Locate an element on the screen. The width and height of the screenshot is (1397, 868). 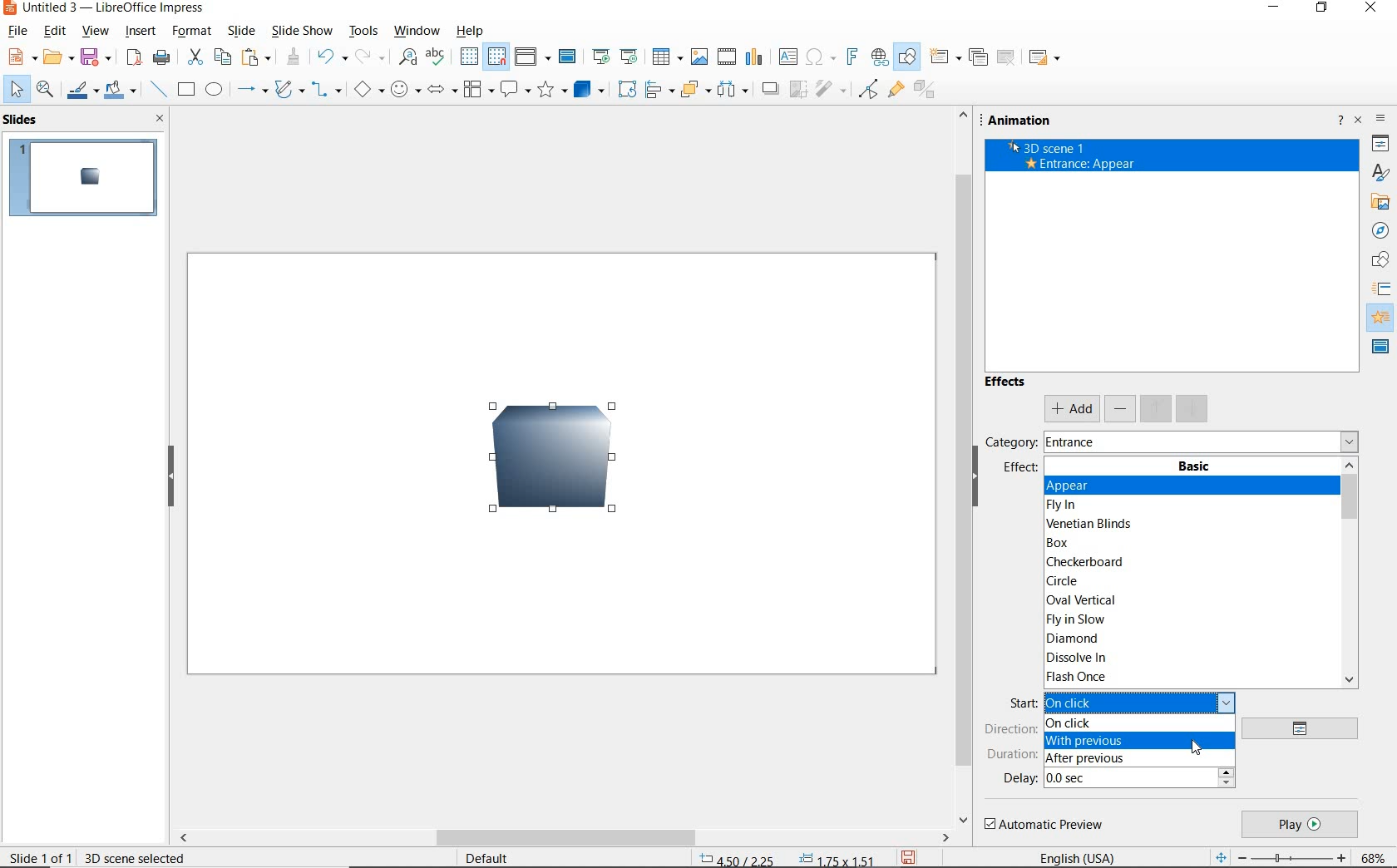
save is located at coordinates (99, 56).